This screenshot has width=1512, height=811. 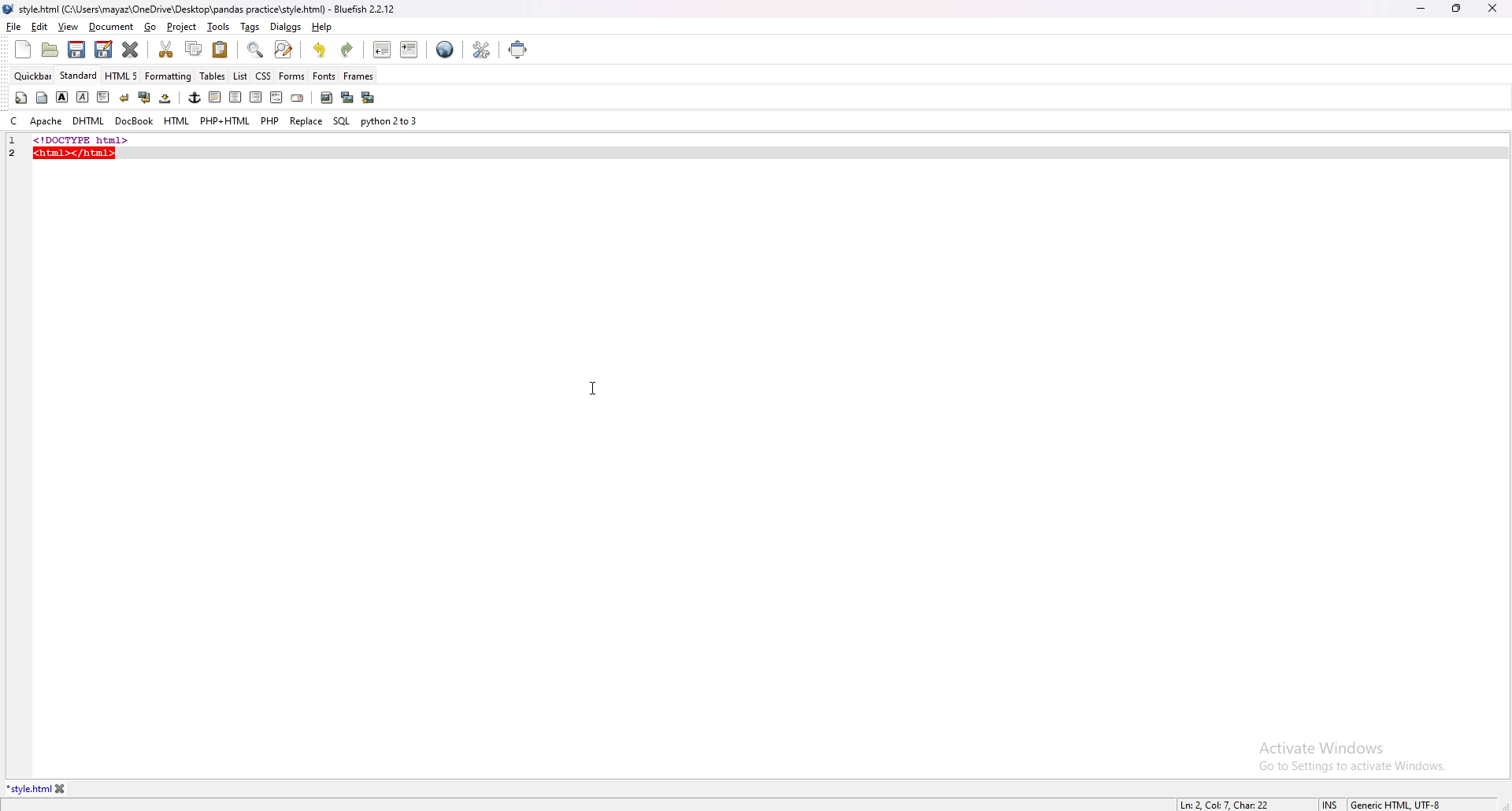 I want to click on advanced find and replace, so click(x=283, y=49).